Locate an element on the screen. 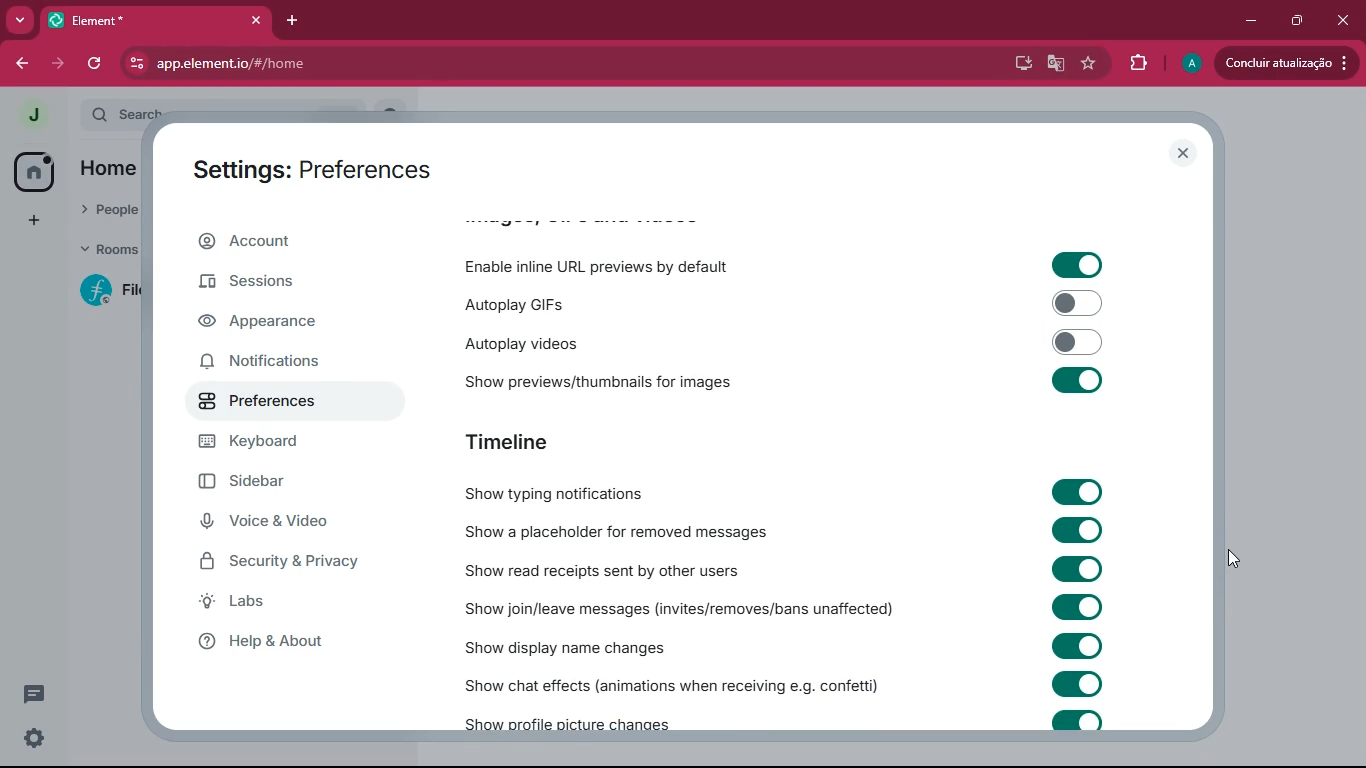  more is located at coordinates (20, 21).